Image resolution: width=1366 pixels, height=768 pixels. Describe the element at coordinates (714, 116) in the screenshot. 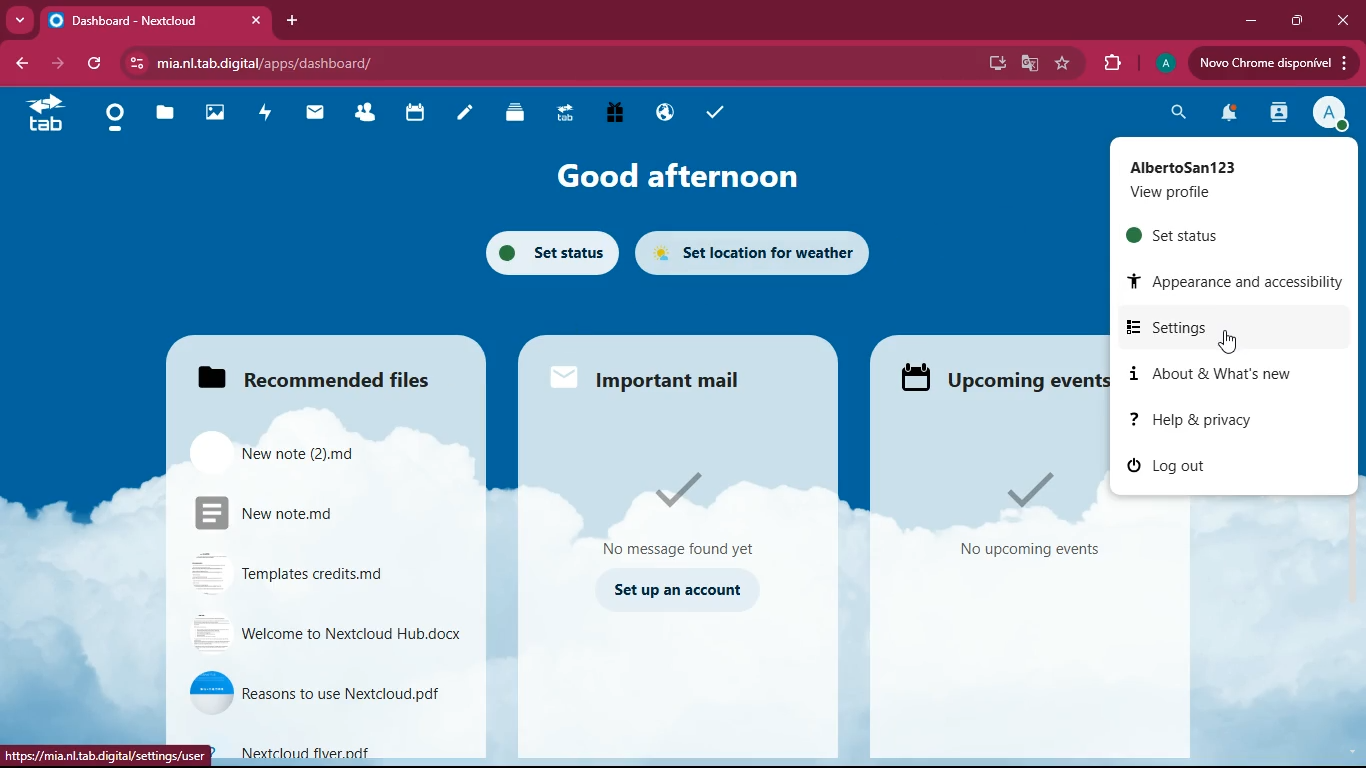

I see `tasks` at that location.